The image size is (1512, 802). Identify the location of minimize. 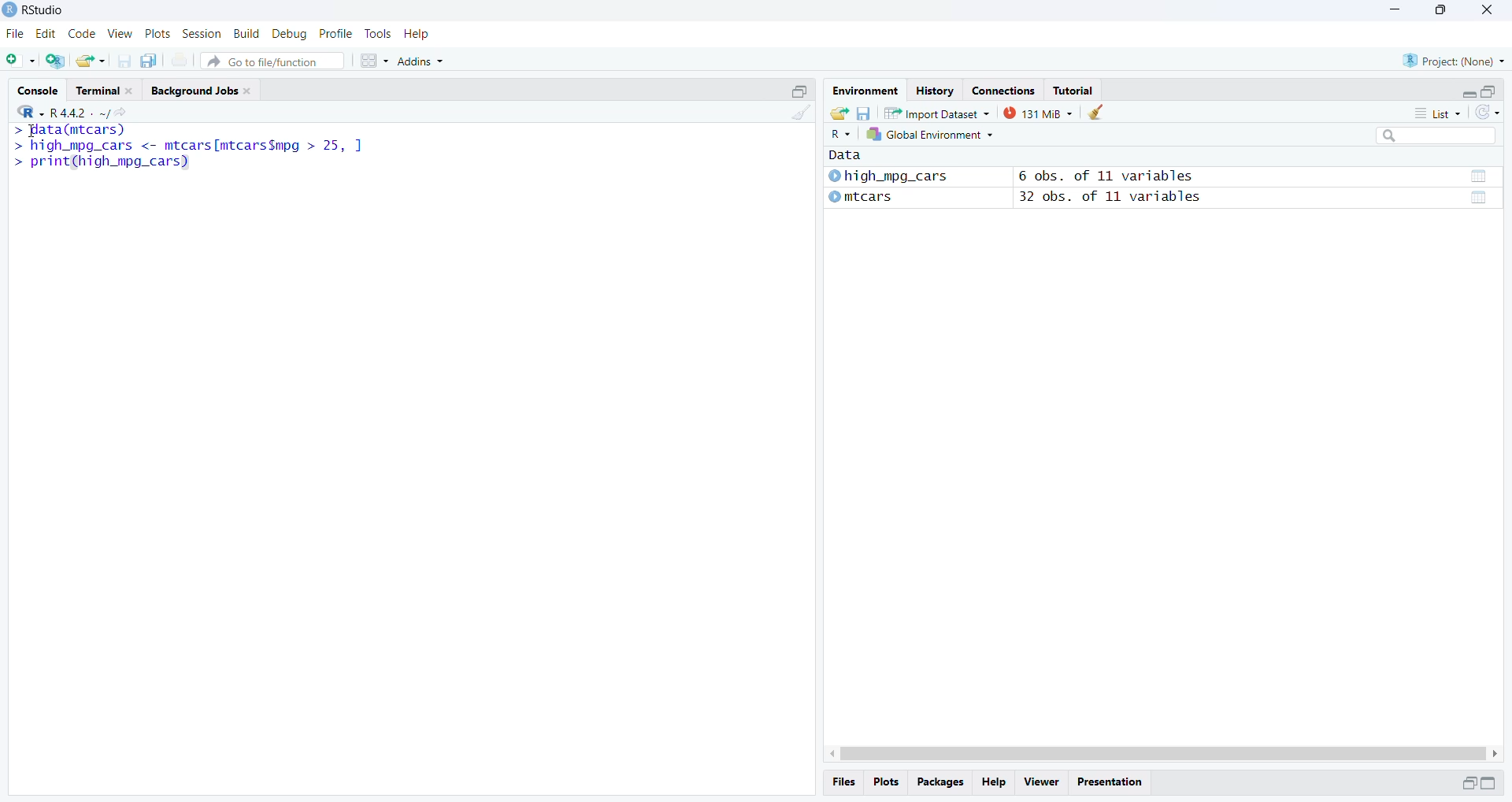
(799, 90).